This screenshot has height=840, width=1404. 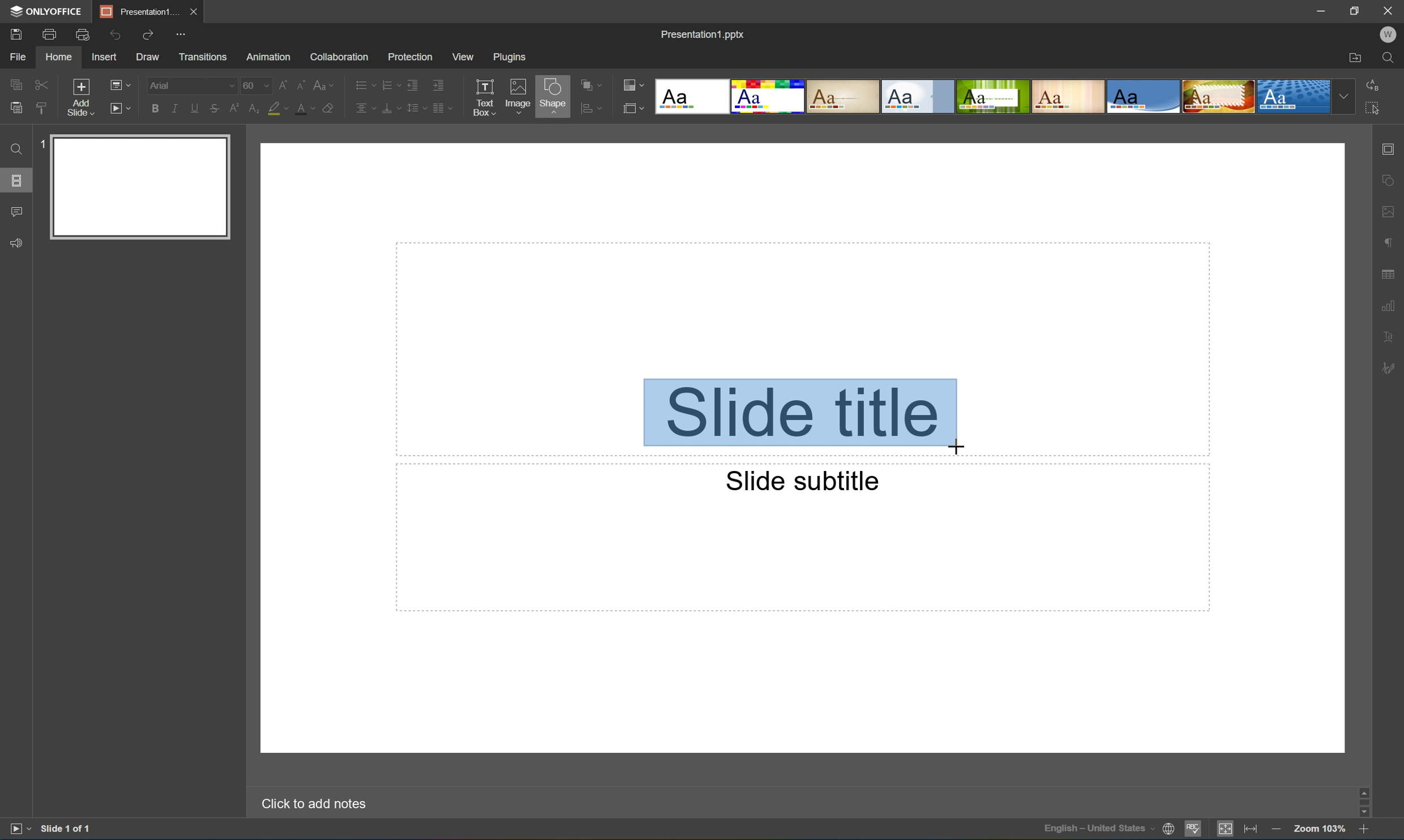 What do you see at coordinates (307, 110) in the screenshot?
I see `Font color` at bounding box center [307, 110].